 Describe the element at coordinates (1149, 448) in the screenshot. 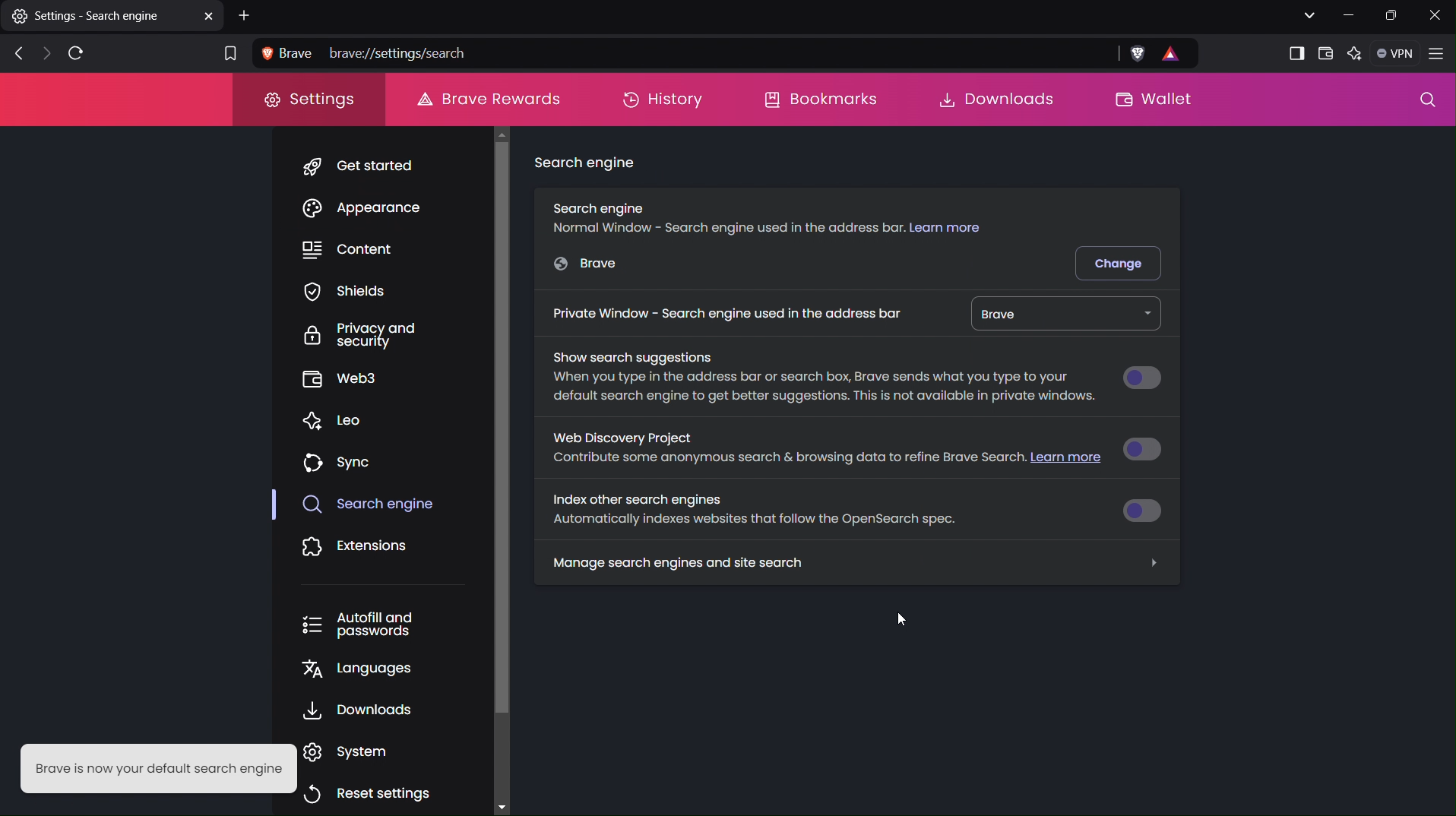

I see `Button` at that location.